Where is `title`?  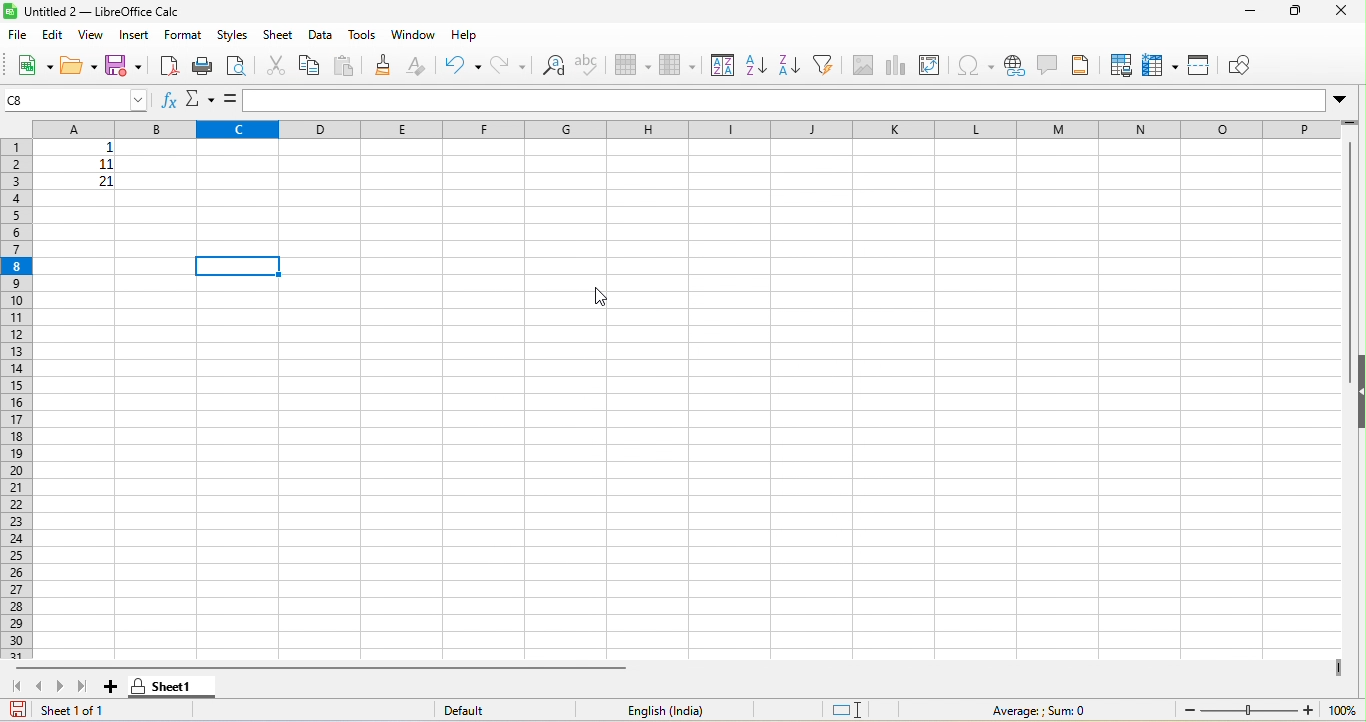
title is located at coordinates (95, 12).